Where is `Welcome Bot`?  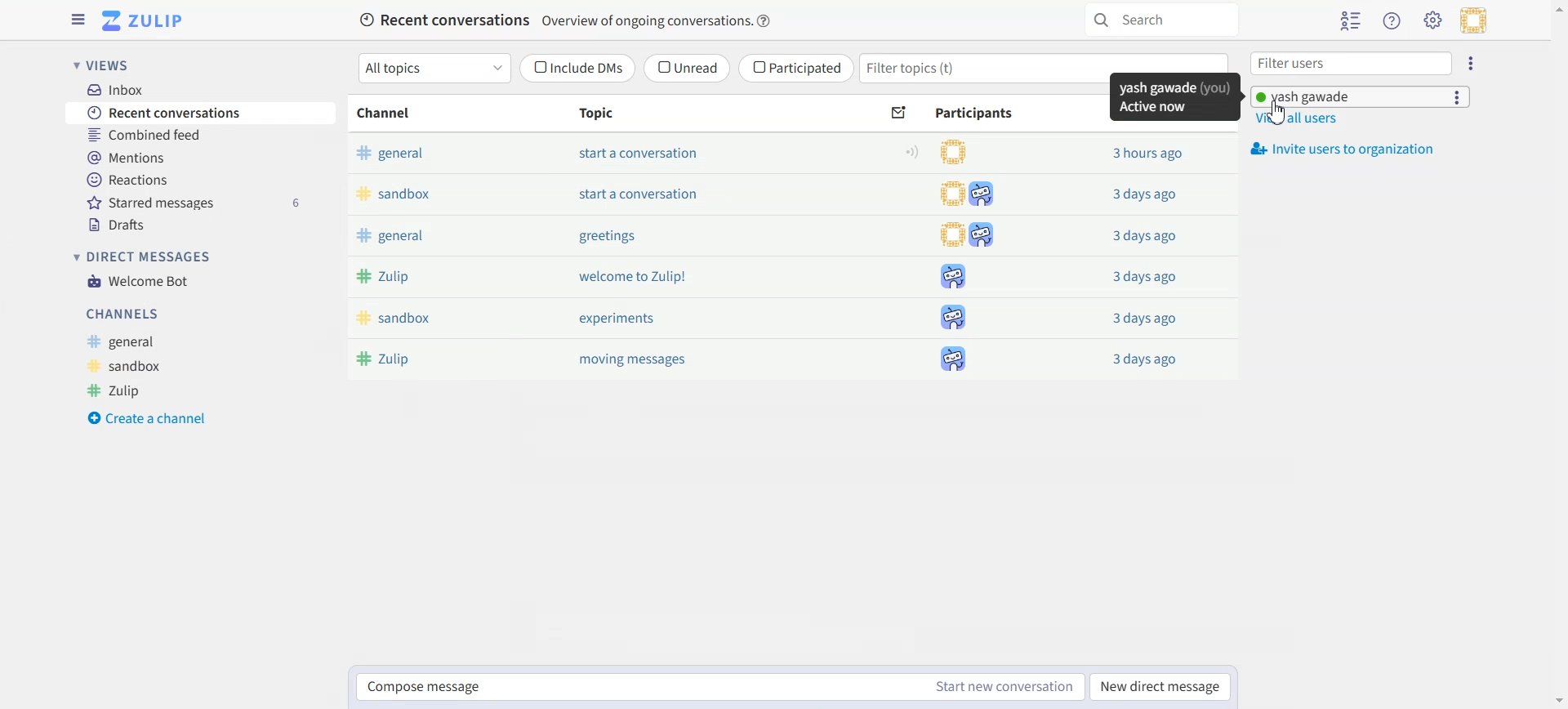
Welcome Bot is located at coordinates (138, 281).